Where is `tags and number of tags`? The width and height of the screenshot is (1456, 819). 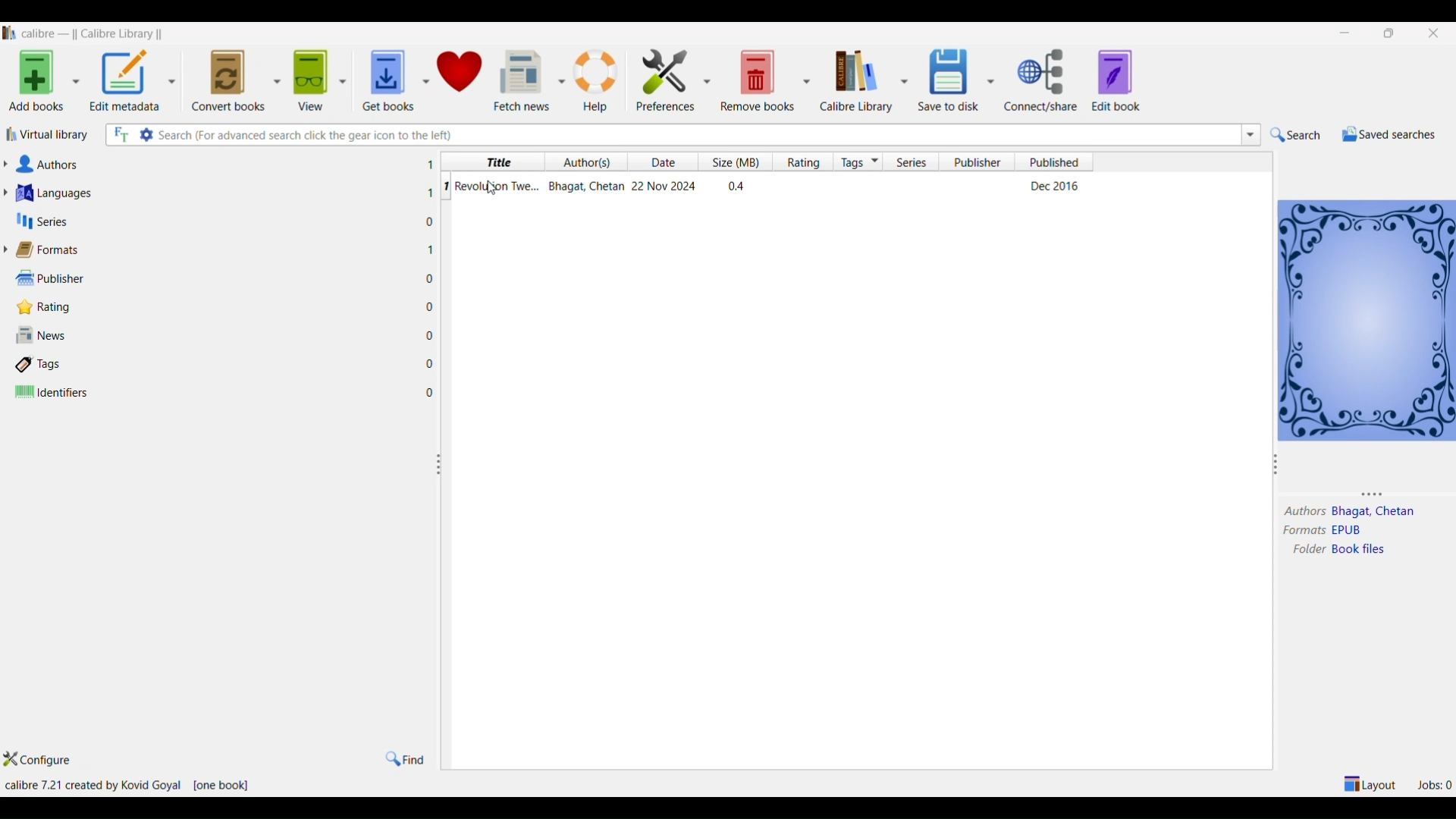 tags and number of tags is located at coordinates (45, 363).